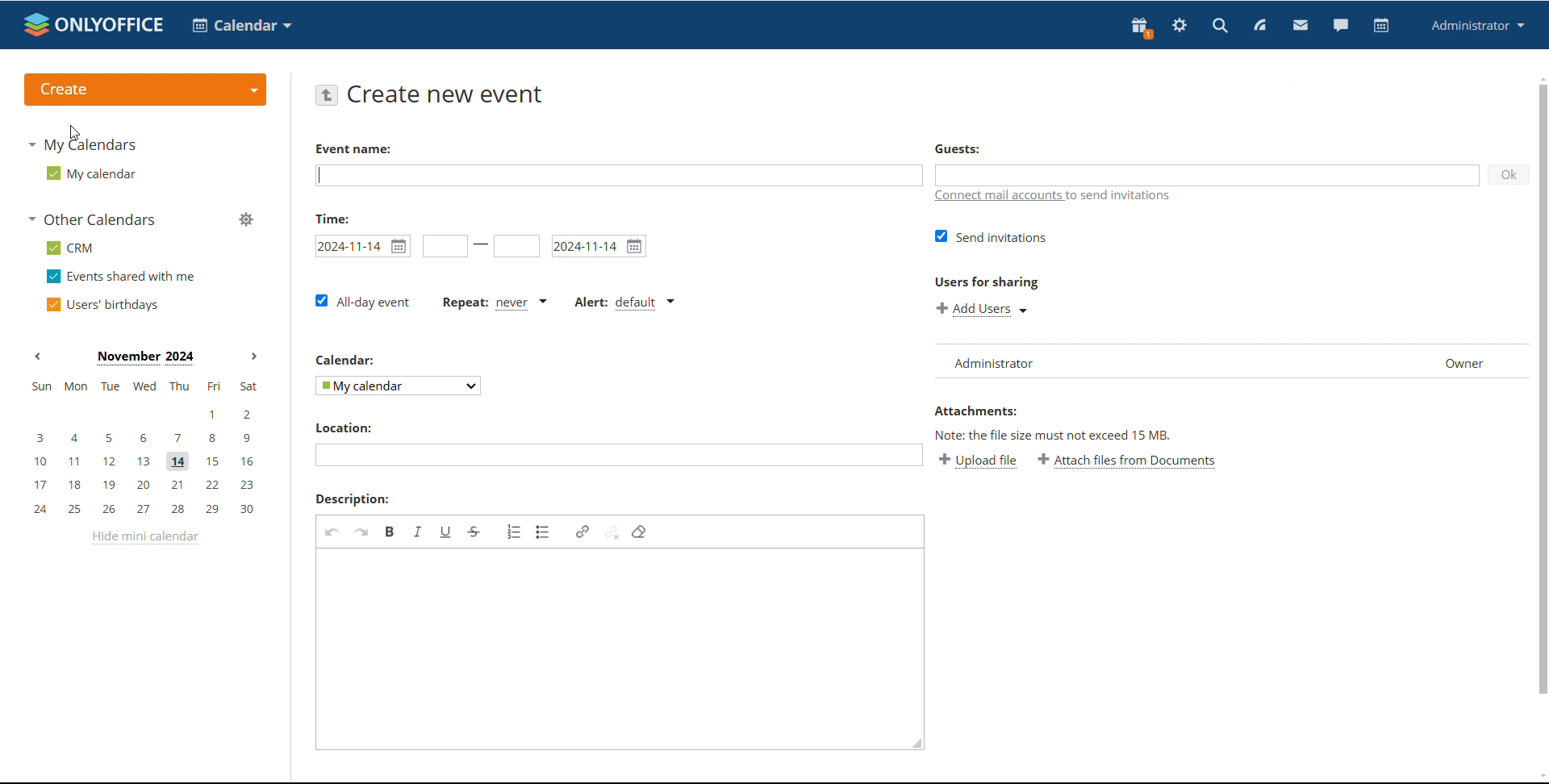  I want to click on time, so click(332, 218).